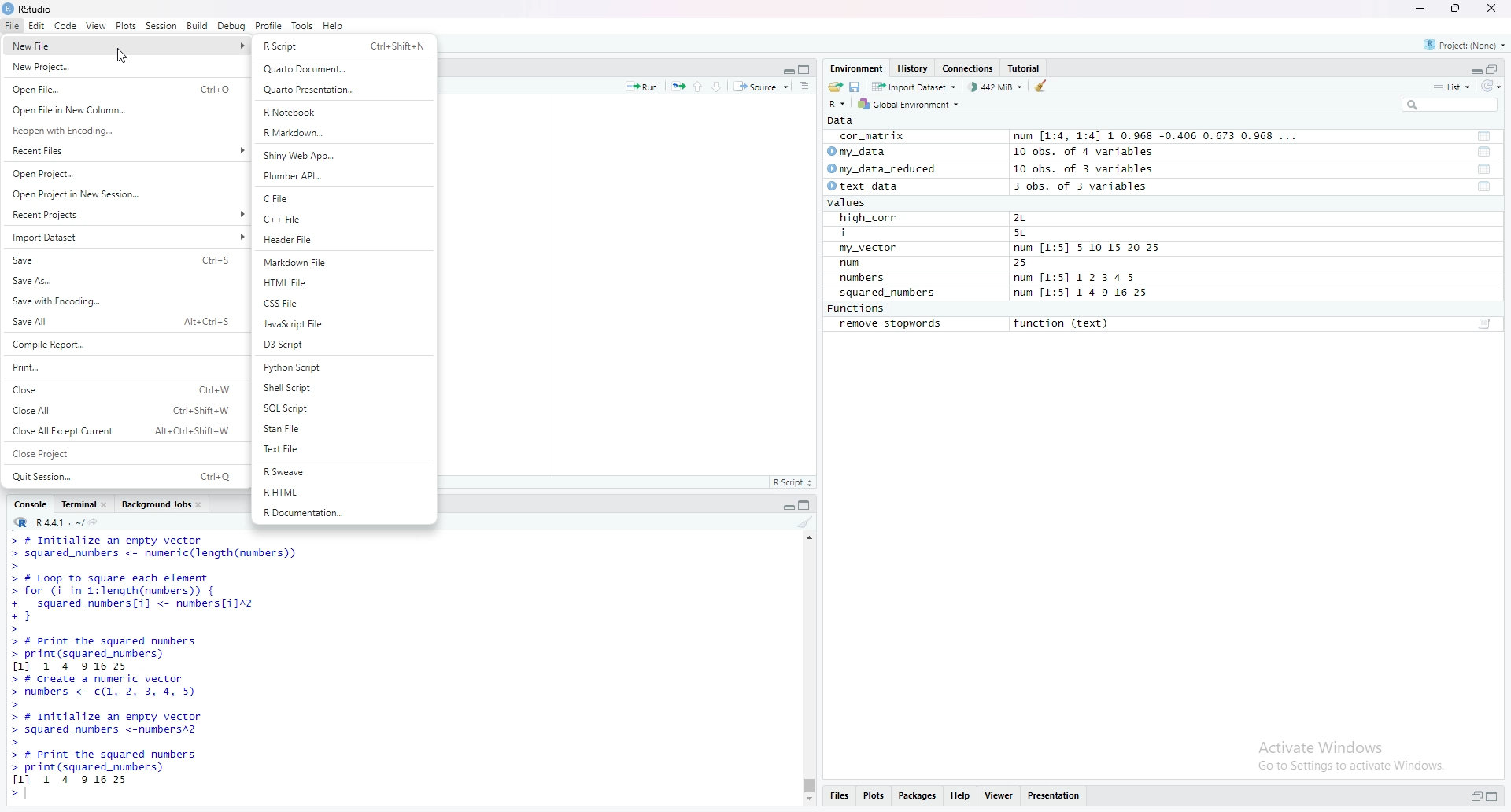  I want to click on Plots, so click(875, 796).